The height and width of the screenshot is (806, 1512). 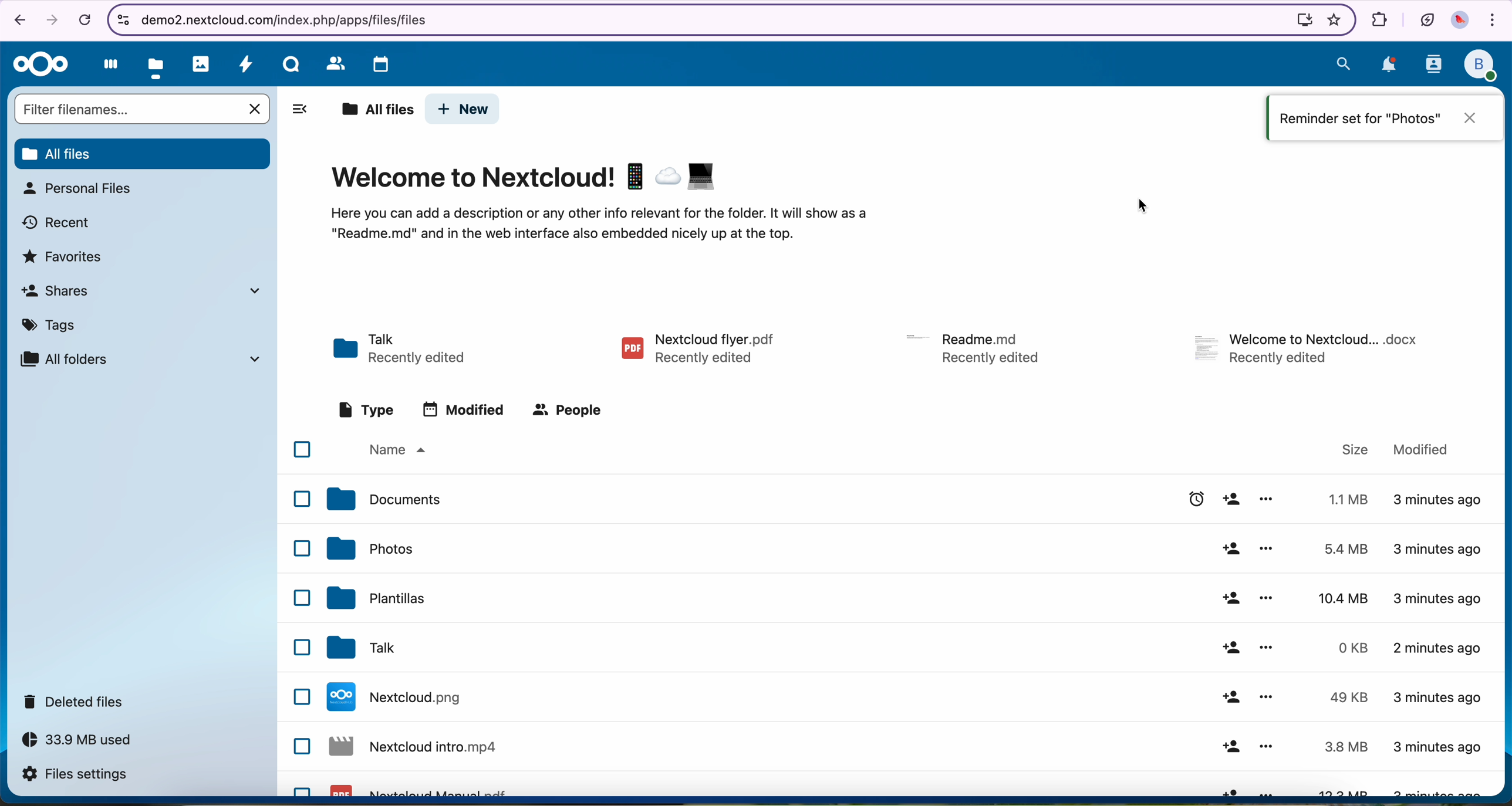 What do you see at coordinates (1435, 790) in the screenshot?
I see `3 minutes ago` at bounding box center [1435, 790].